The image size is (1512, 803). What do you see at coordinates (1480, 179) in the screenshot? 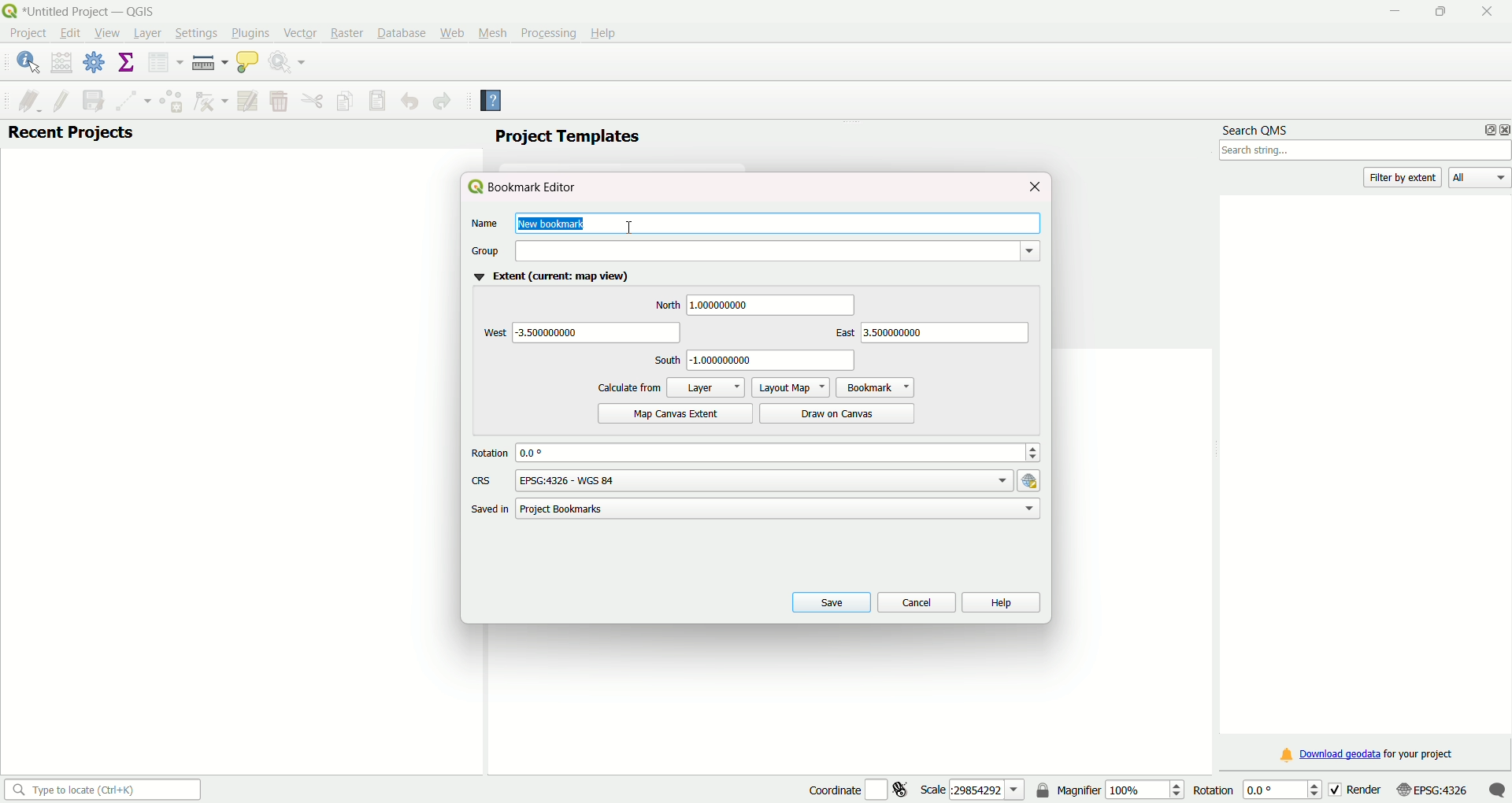
I see `all` at bounding box center [1480, 179].